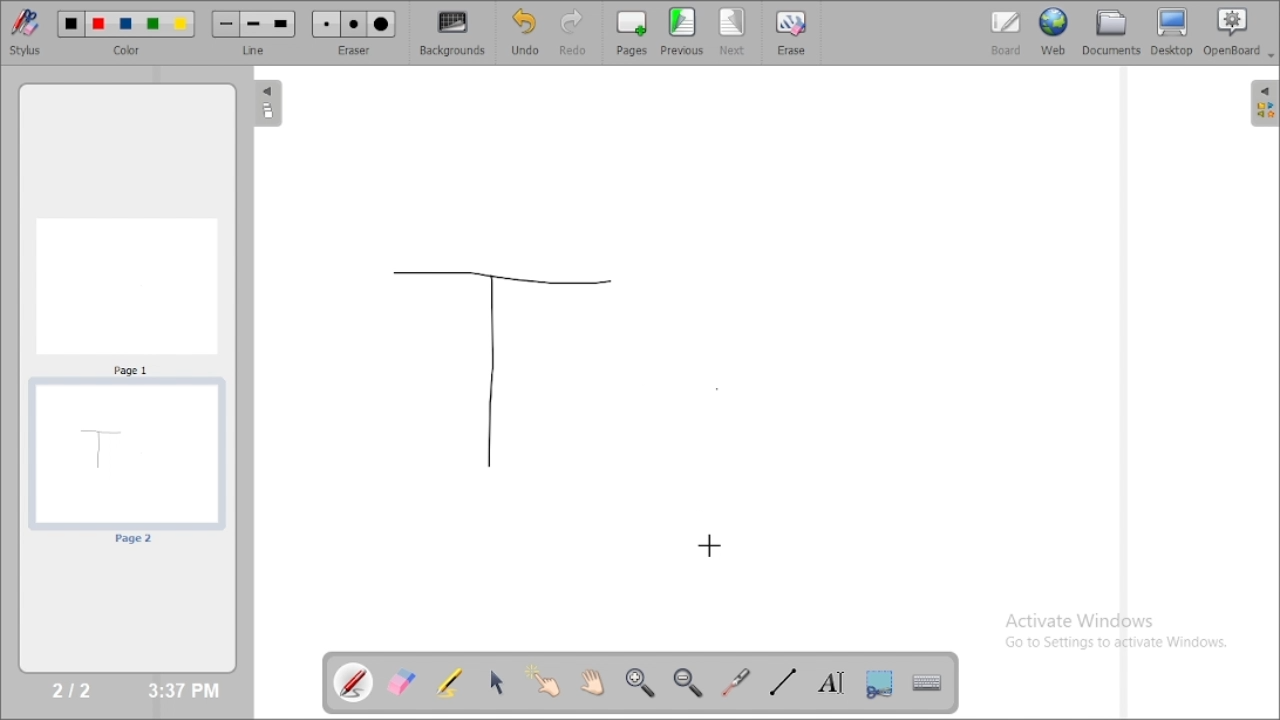  Describe the element at coordinates (326, 25) in the screenshot. I see `Small eraser` at that location.